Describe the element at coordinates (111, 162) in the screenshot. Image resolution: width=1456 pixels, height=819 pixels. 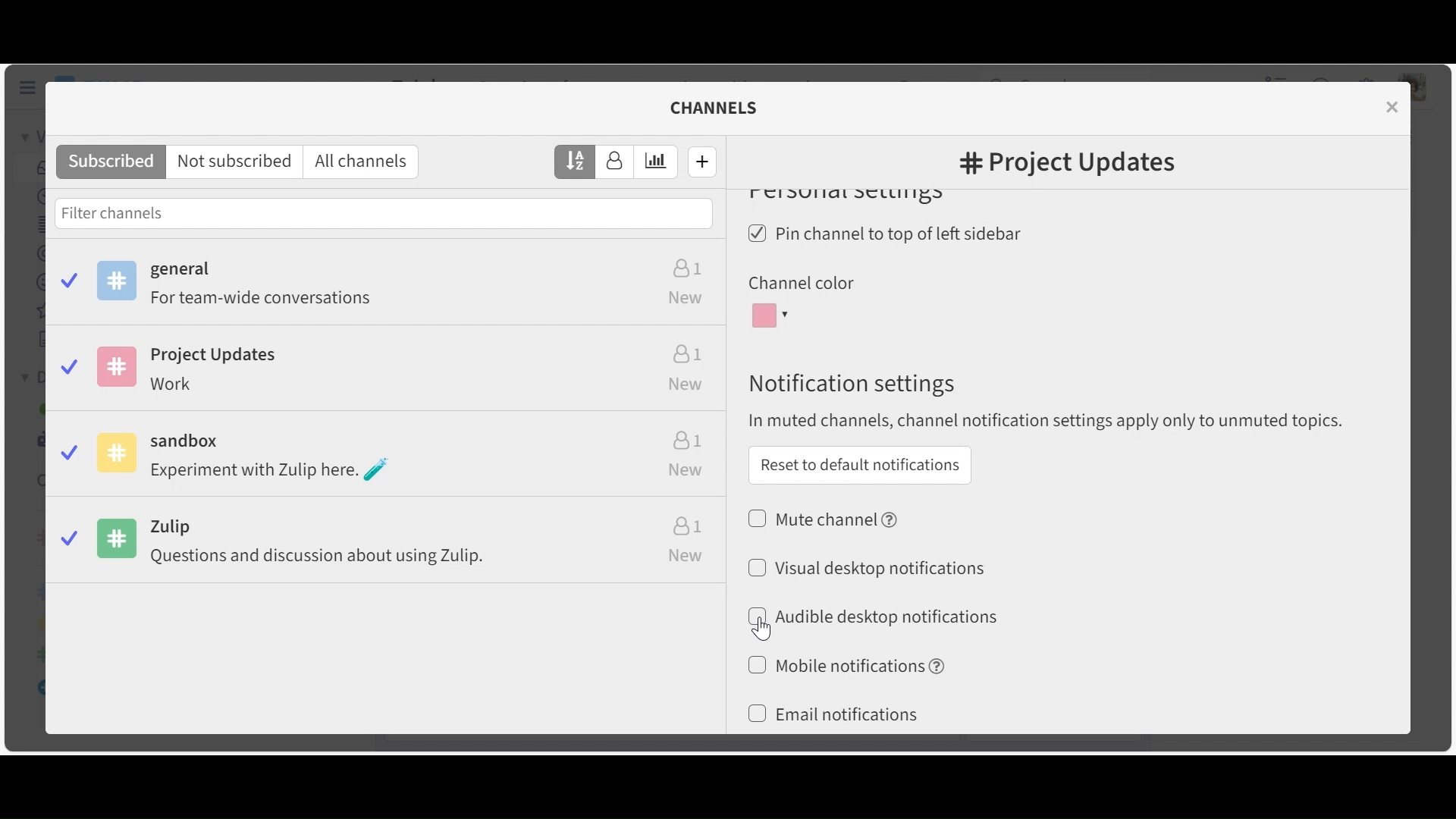
I see `Subscribed channels` at that location.